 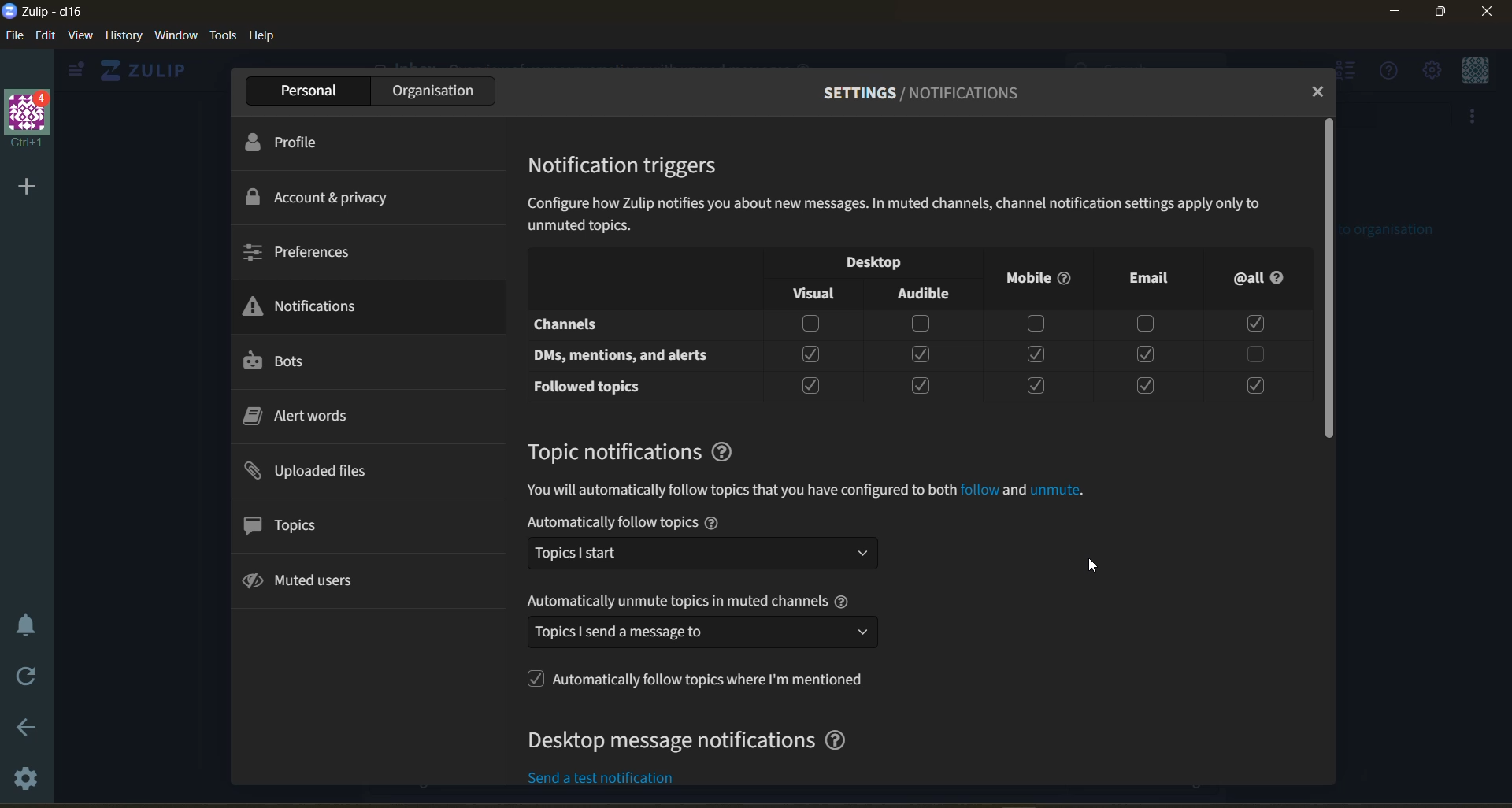 What do you see at coordinates (291, 523) in the screenshot?
I see `topics` at bounding box center [291, 523].